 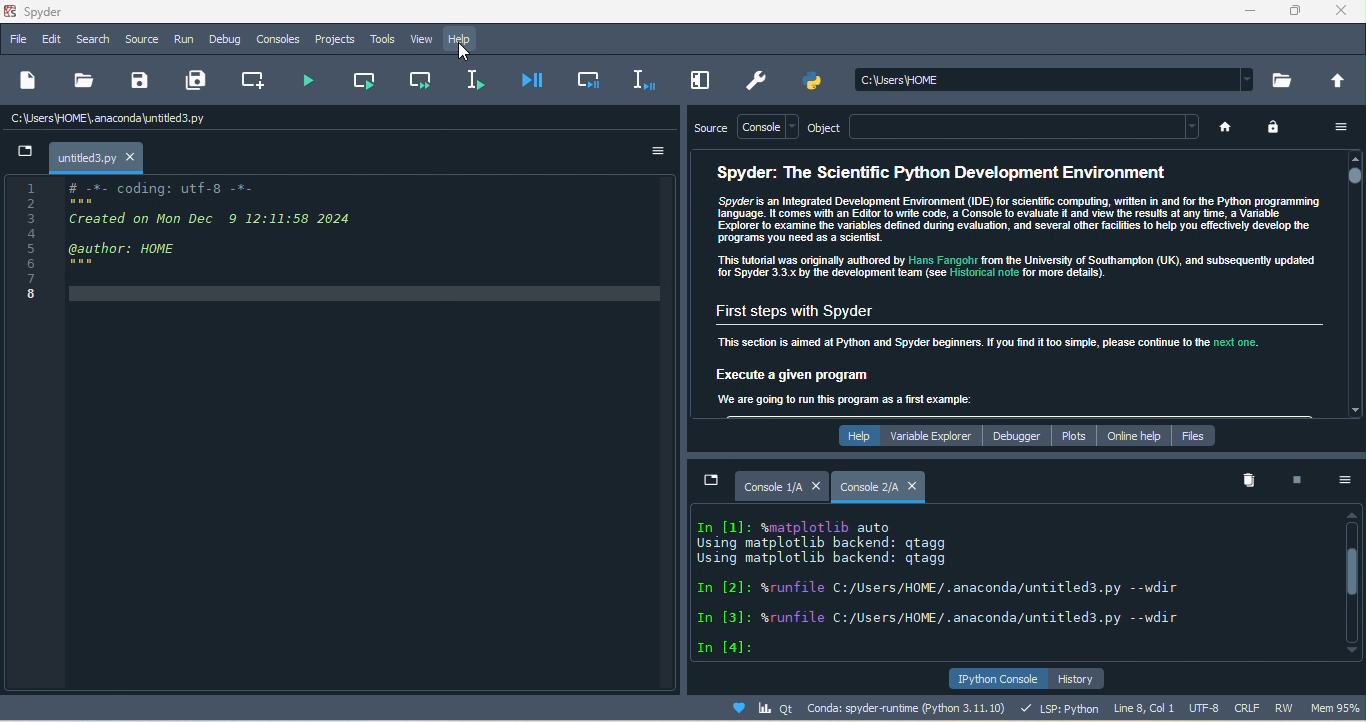 What do you see at coordinates (1335, 709) in the screenshot?
I see `mem 95%` at bounding box center [1335, 709].